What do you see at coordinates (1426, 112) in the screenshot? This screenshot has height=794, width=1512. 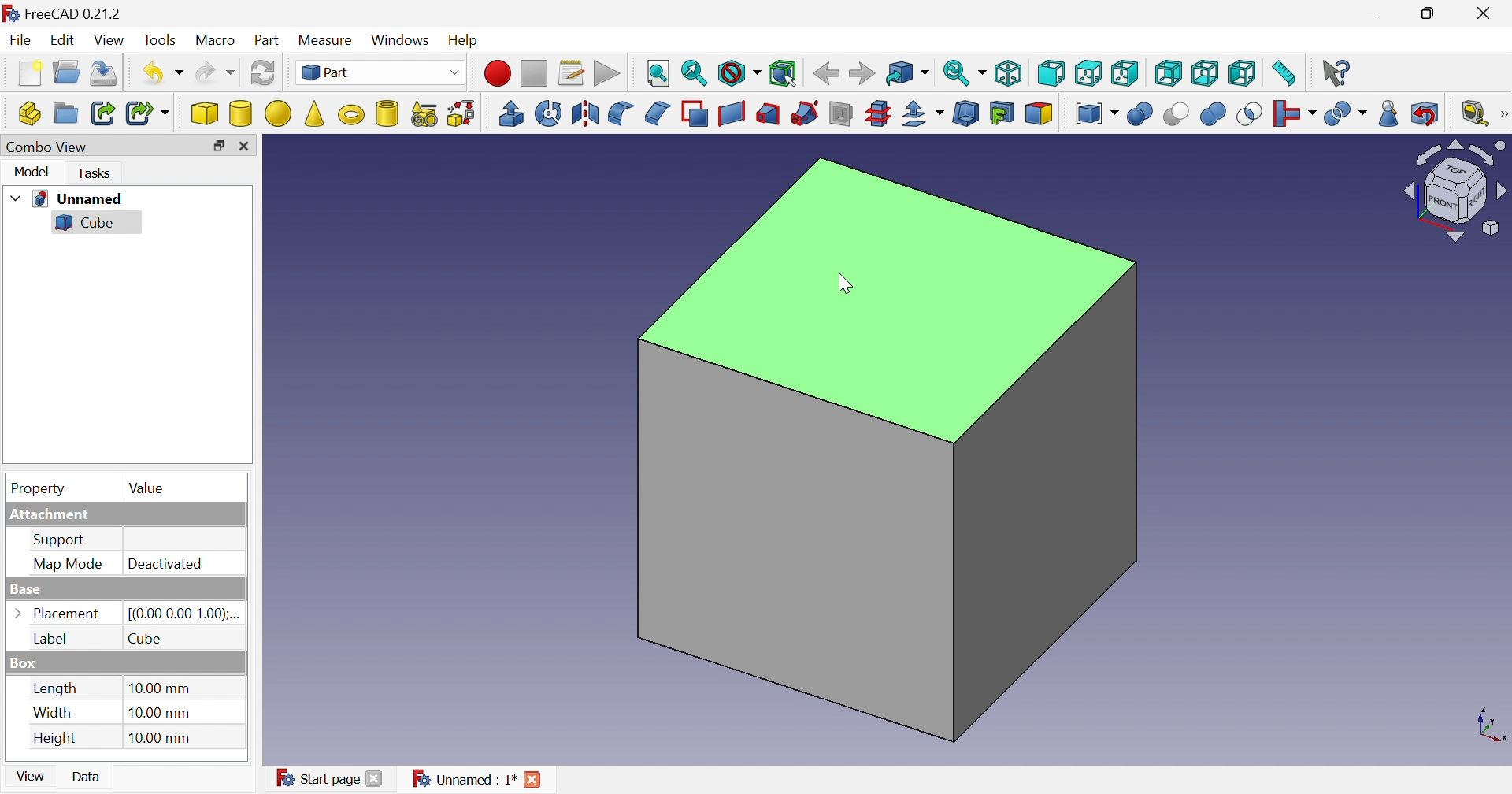 I see `Defeaturing` at bounding box center [1426, 112].